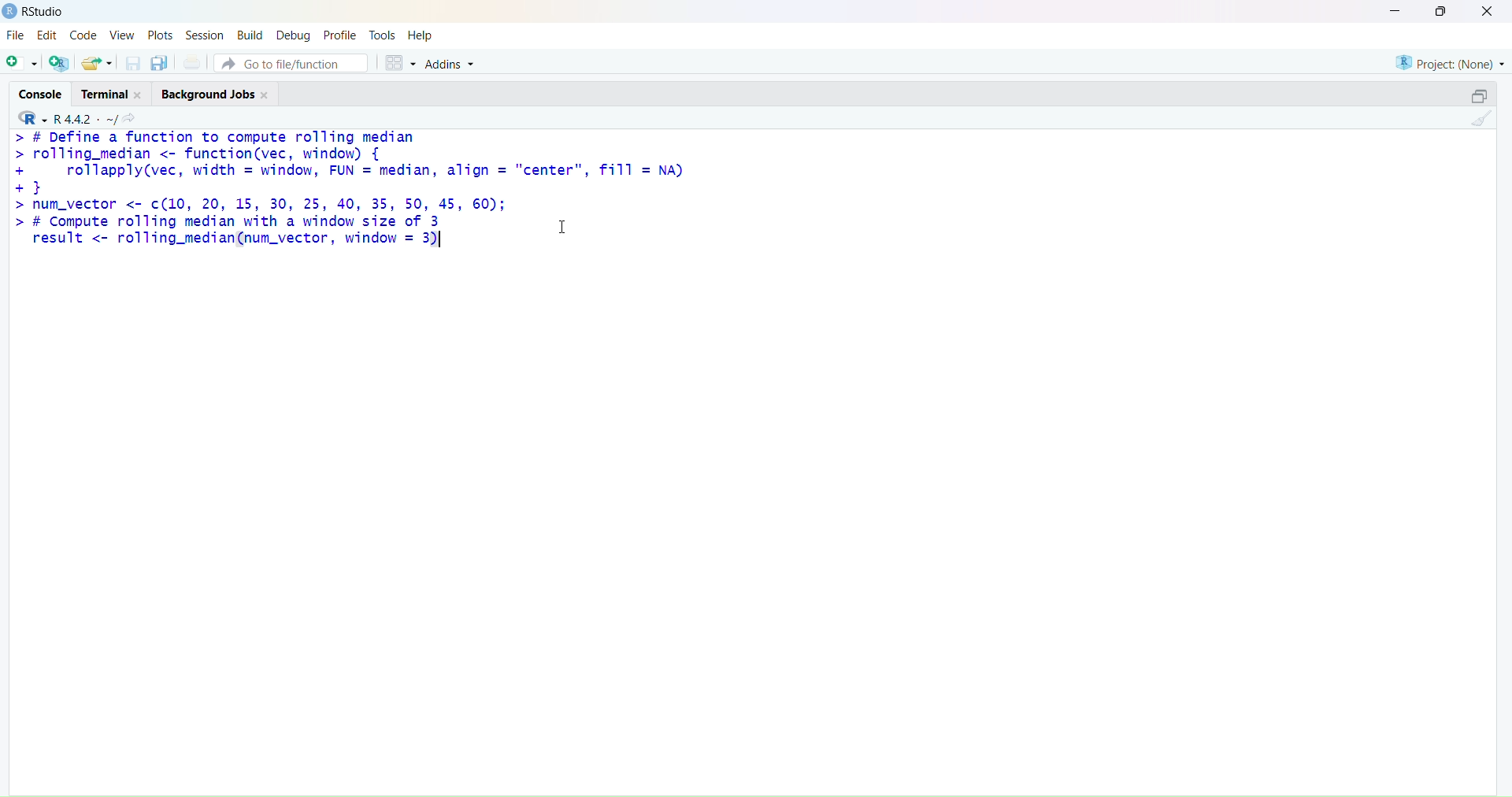 The height and width of the screenshot is (797, 1512). Describe the element at coordinates (46, 12) in the screenshot. I see `RStudio` at that location.